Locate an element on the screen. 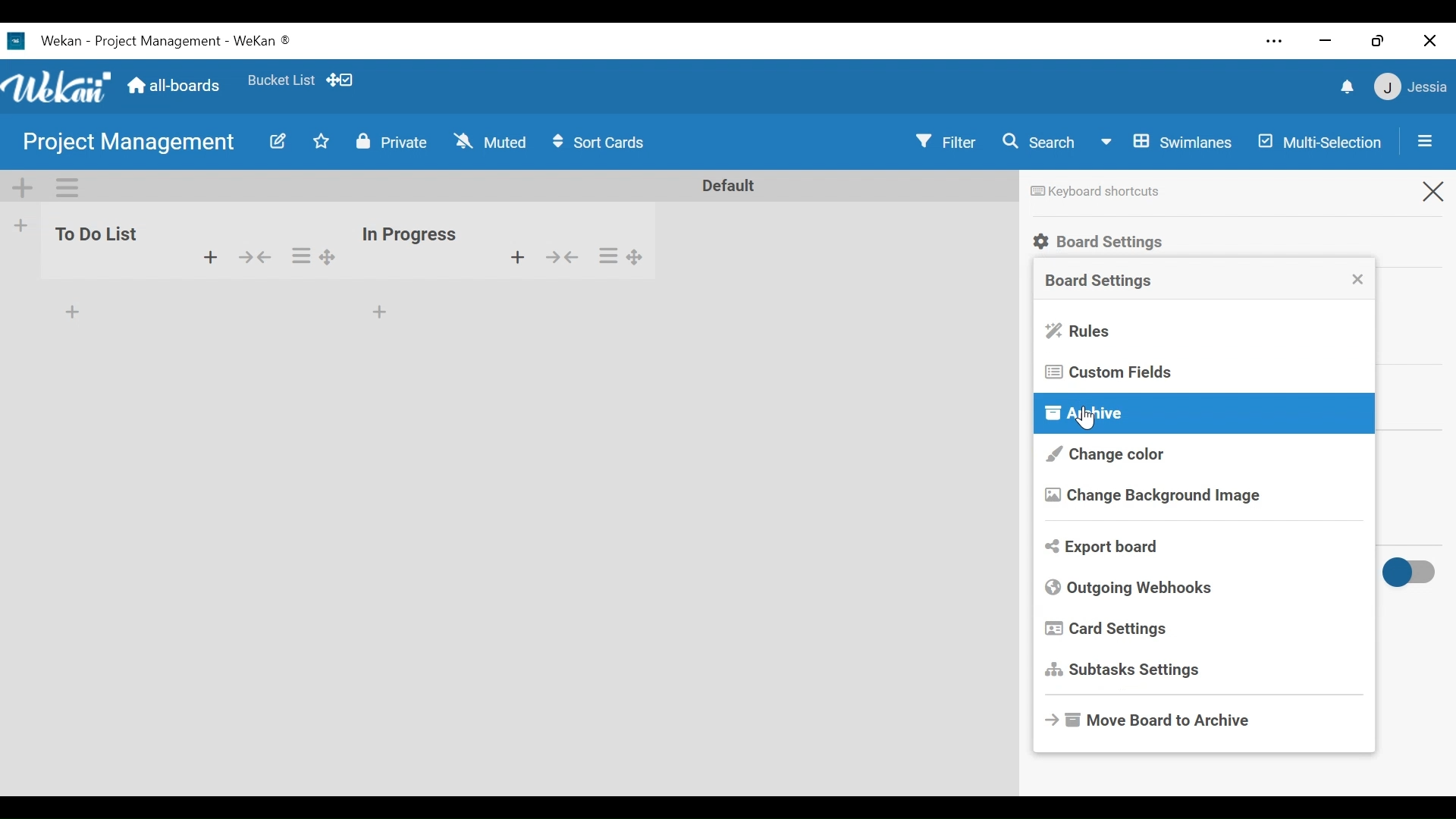  add is located at coordinates (209, 259).